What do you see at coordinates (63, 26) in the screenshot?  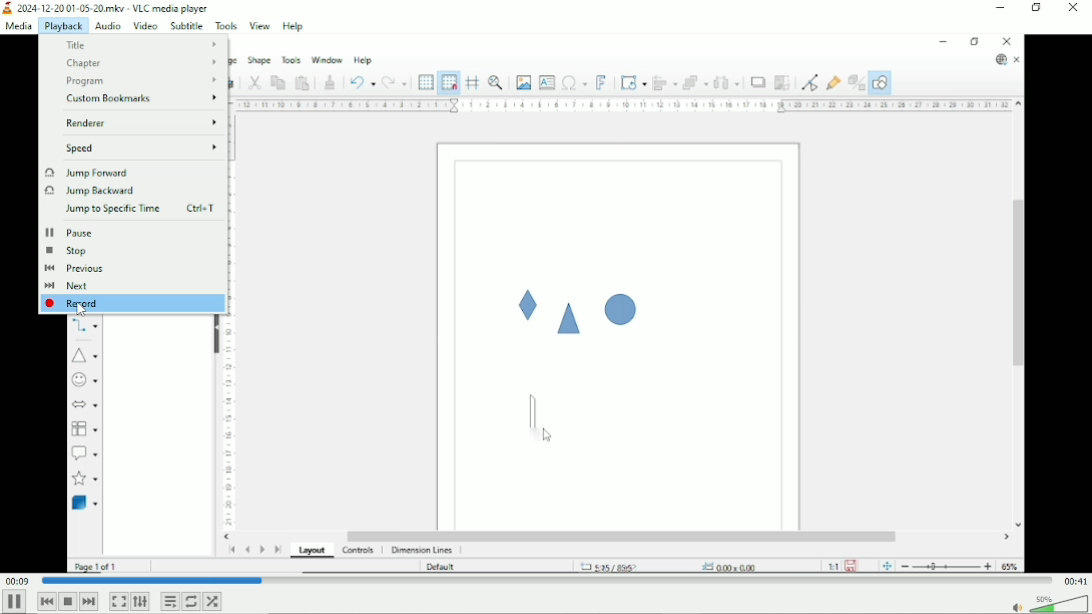 I see `Playback` at bounding box center [63, 26].